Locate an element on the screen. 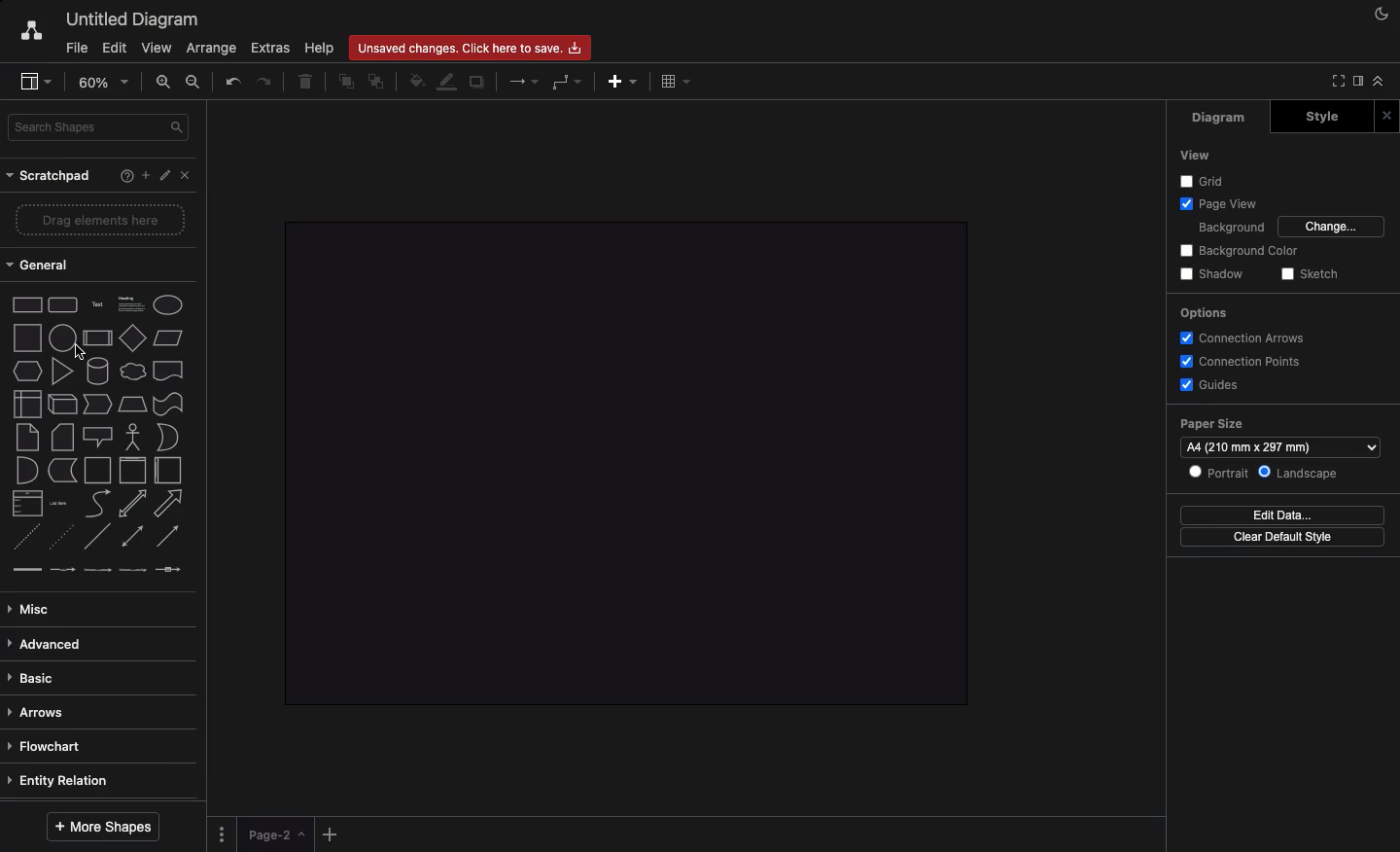  Page 1 is located at coordinates (277, 836).